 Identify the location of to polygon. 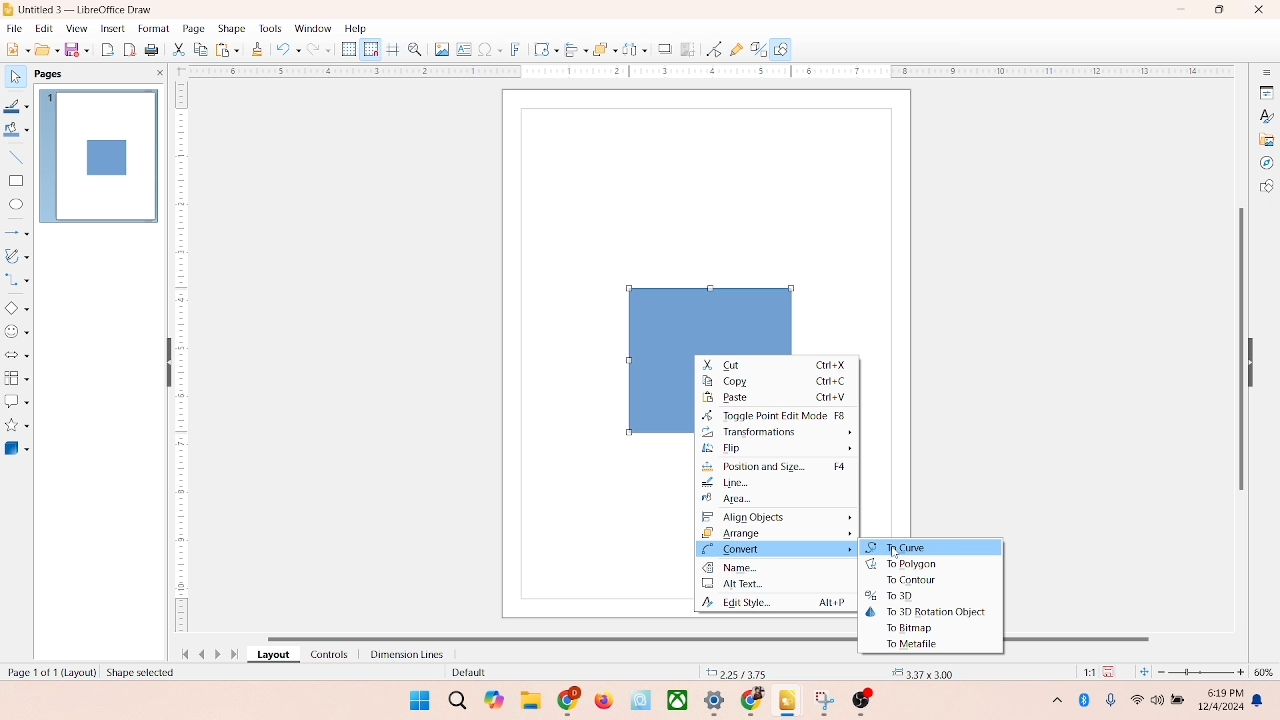
(901, 565).